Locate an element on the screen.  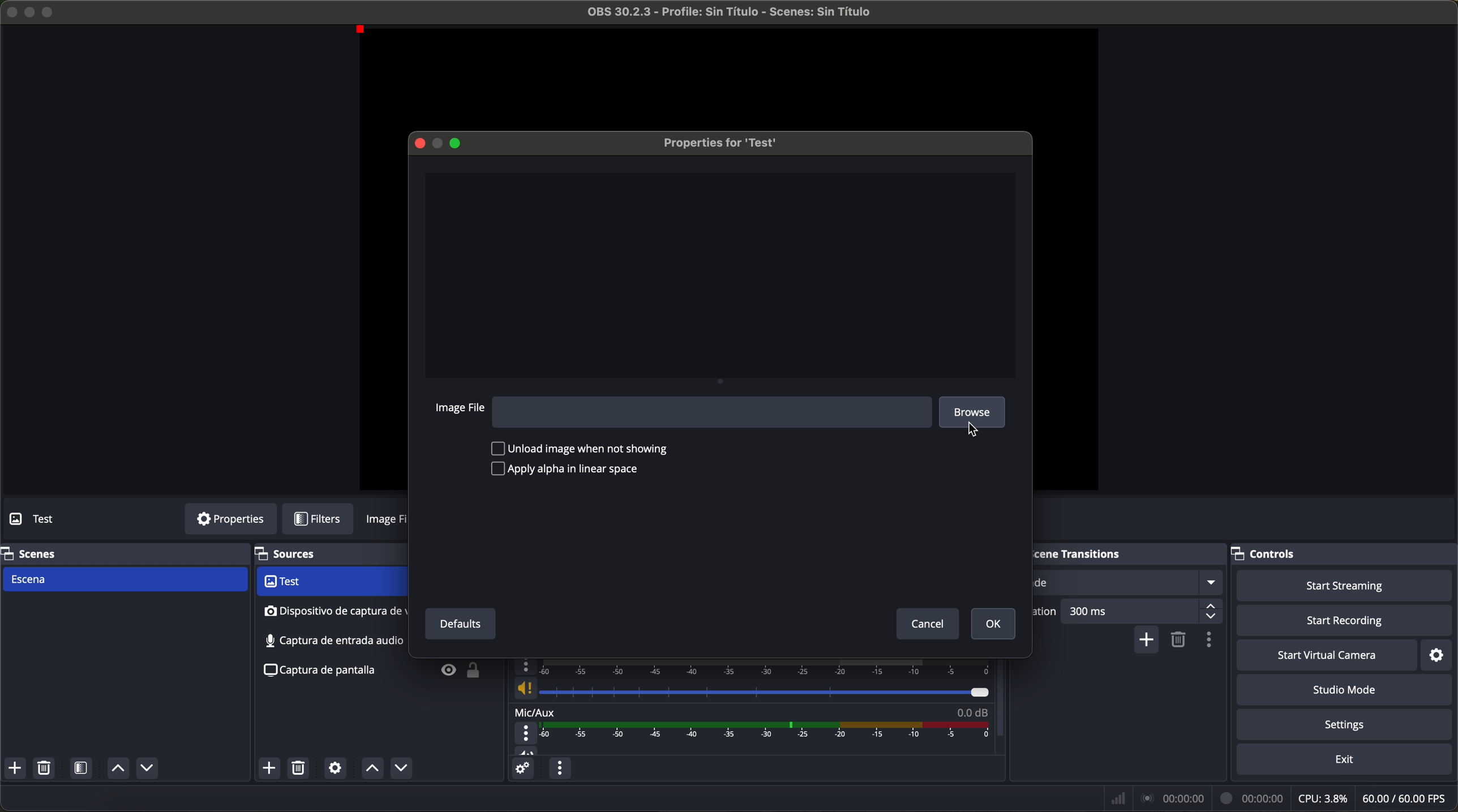
move scene down is located at coordinates (147, 770).